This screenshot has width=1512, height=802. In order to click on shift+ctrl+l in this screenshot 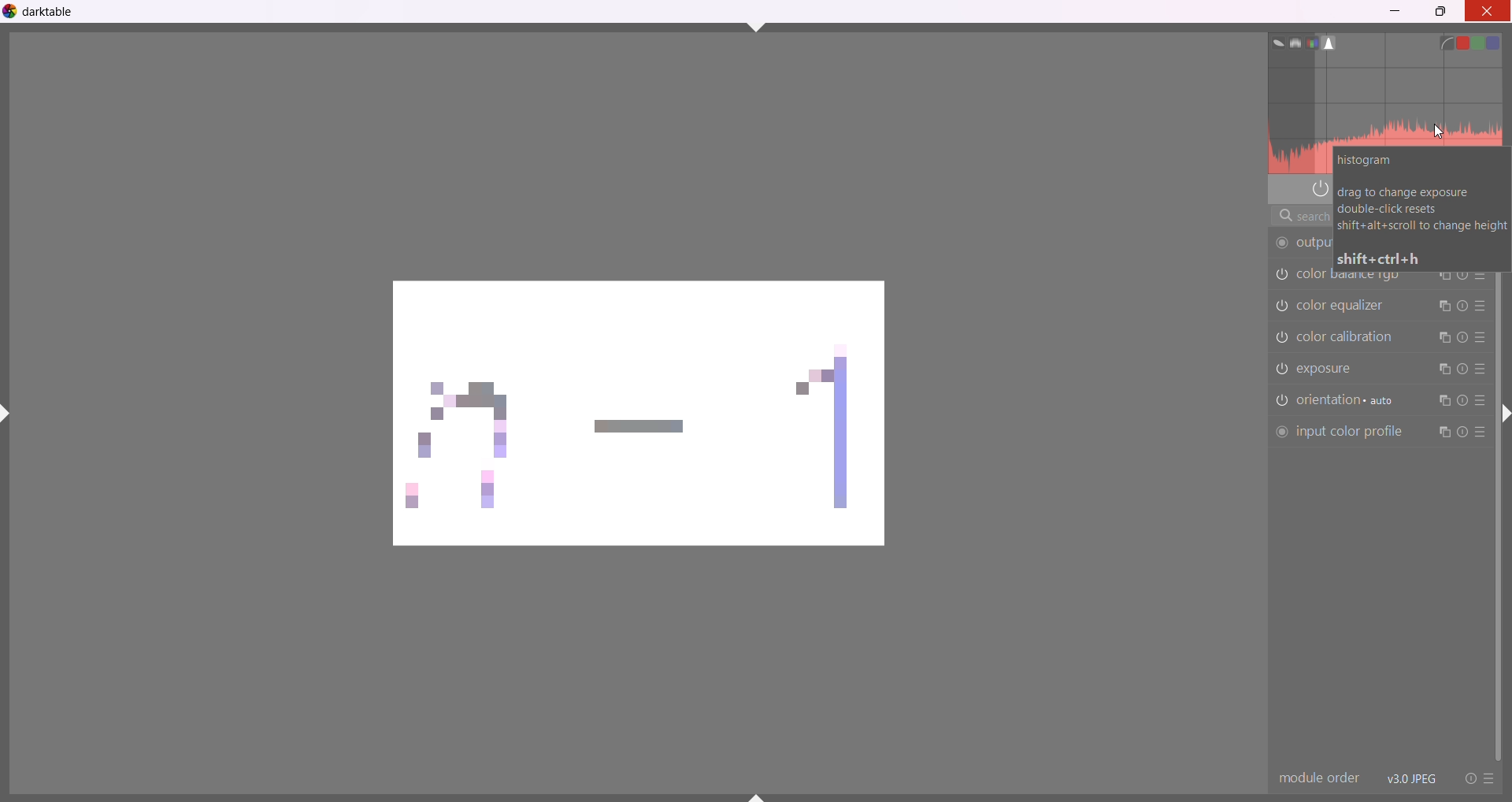, I will do `click(9, 414)`.